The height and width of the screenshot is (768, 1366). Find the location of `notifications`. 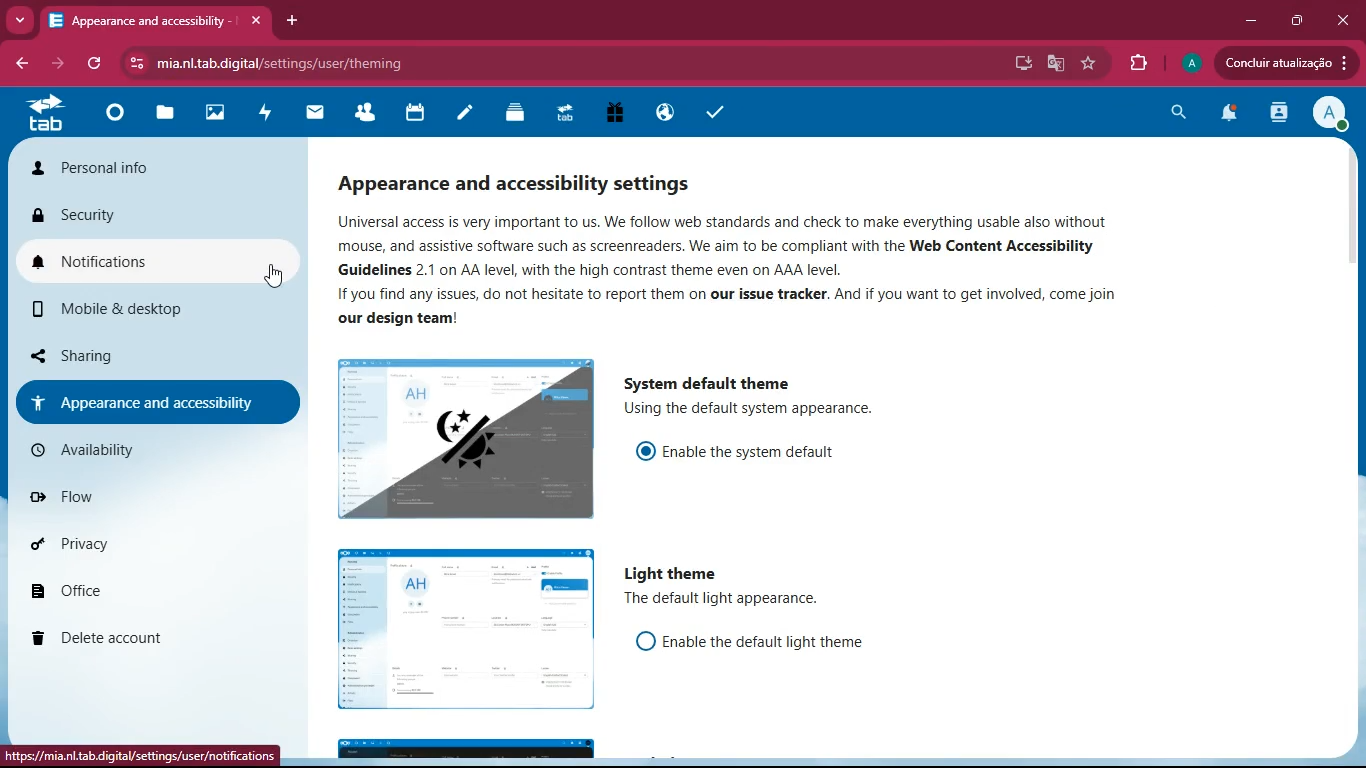

notifications is located at coordinates (1229, 116).